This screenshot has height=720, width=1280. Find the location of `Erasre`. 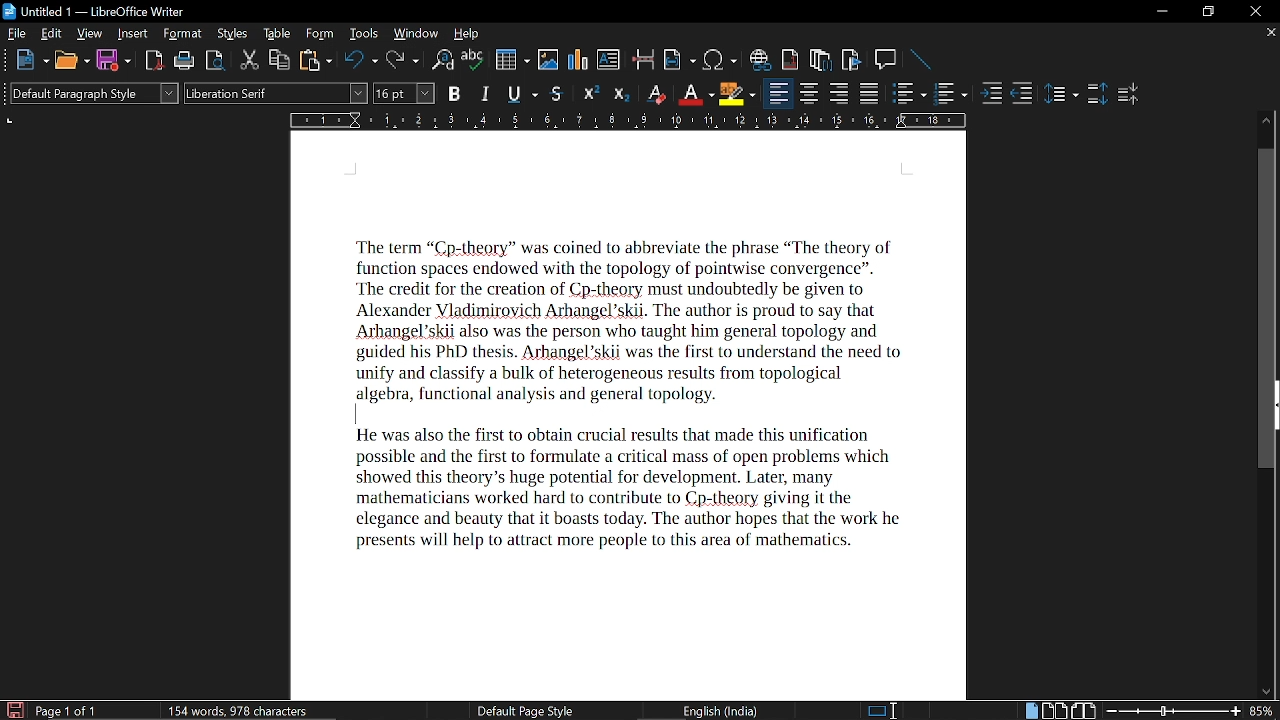

Erasre is located at coordinates (654, 93).